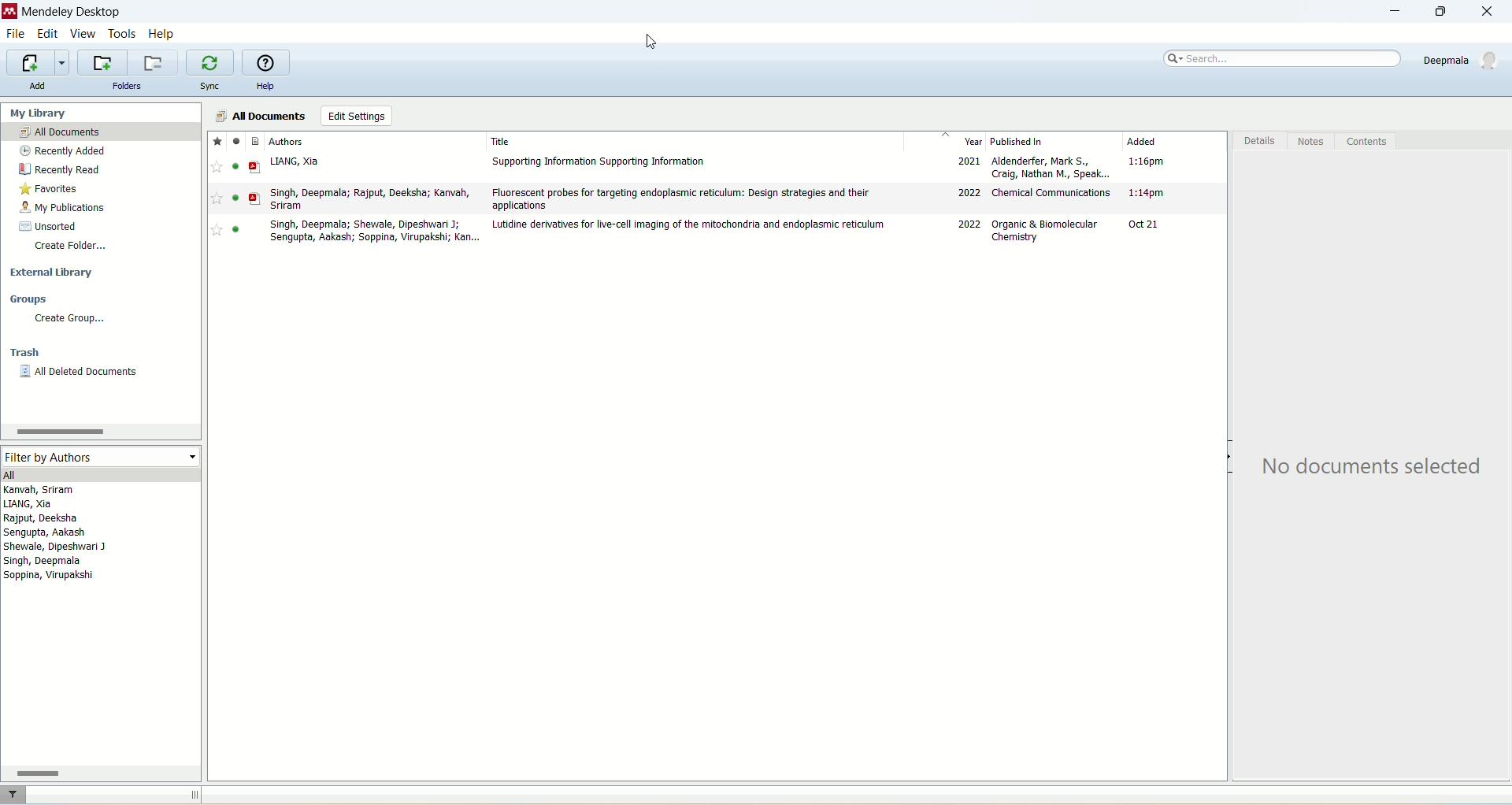  I want to click on add, so click(35, 85).